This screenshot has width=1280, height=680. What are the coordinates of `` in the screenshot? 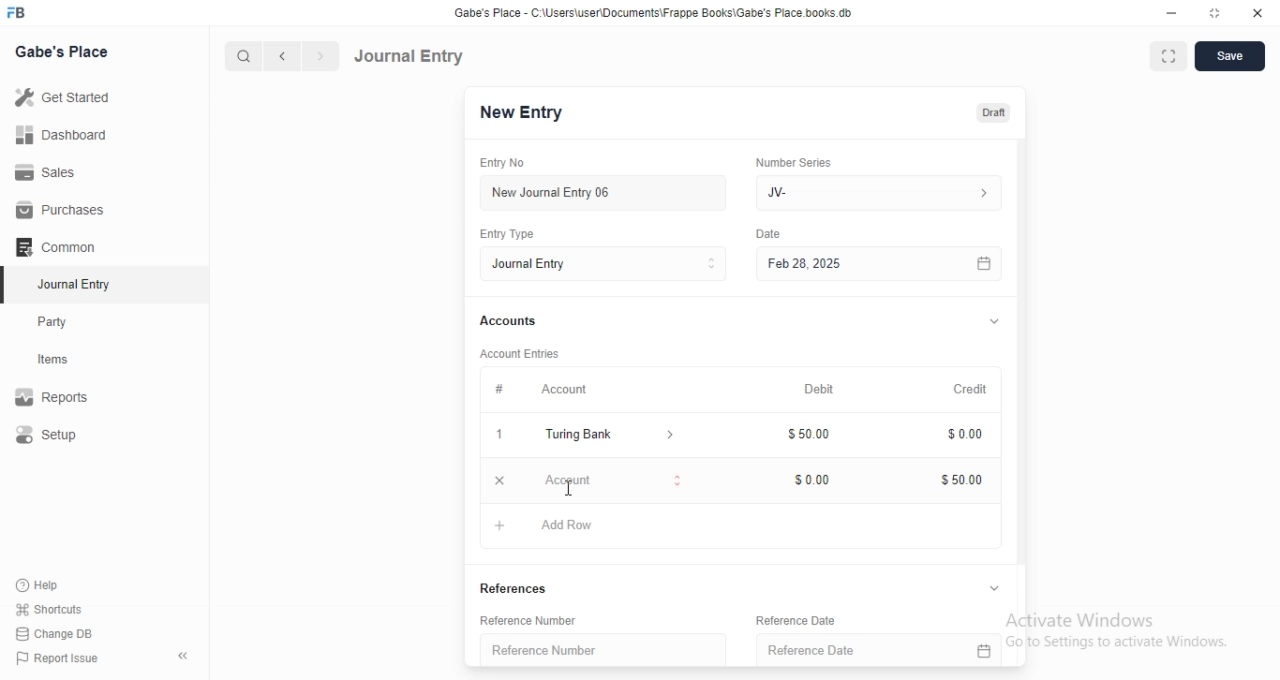 It's located at (771, 236).